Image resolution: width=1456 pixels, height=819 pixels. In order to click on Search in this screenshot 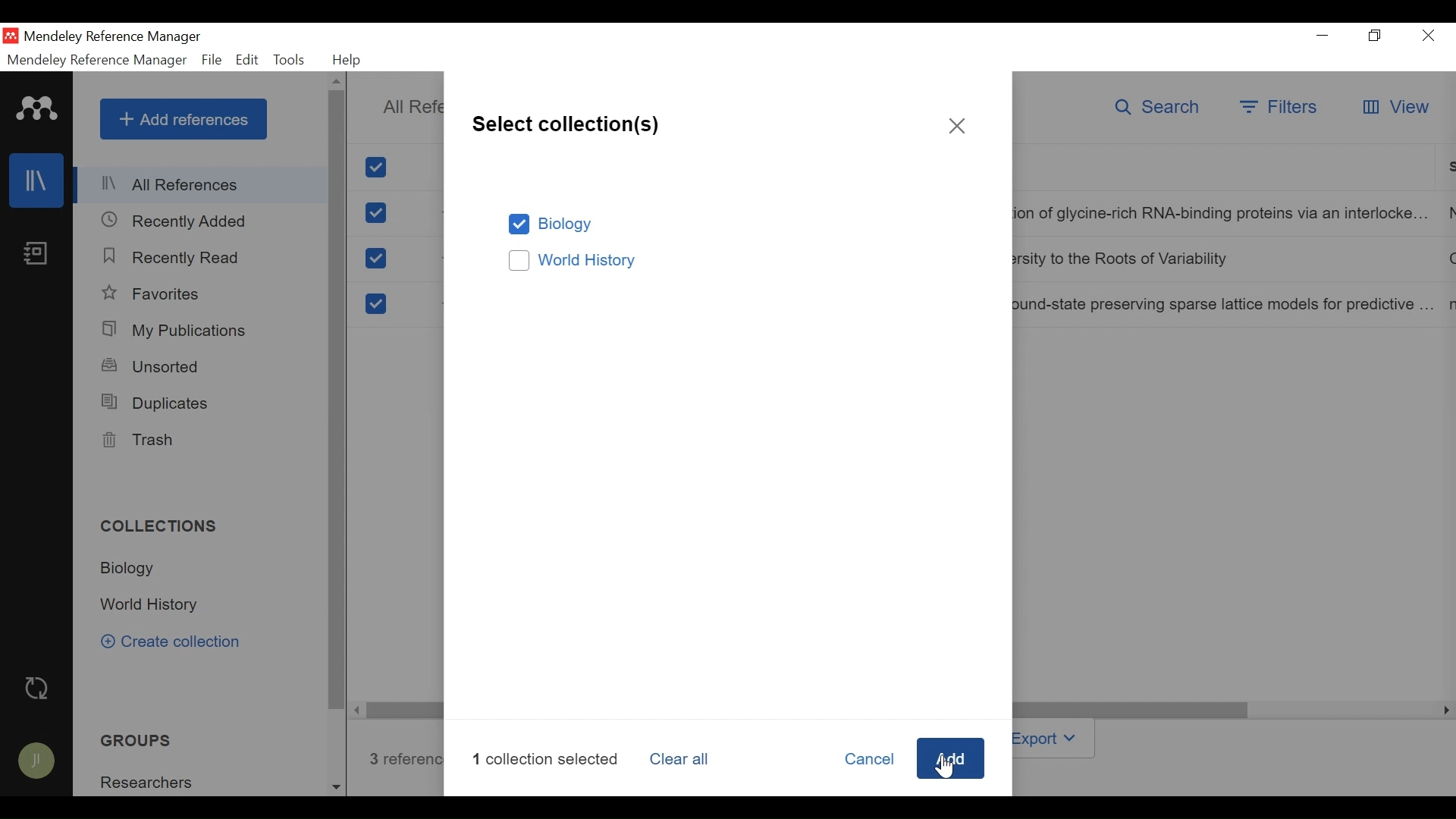, I will do `click(1161, 109)`.